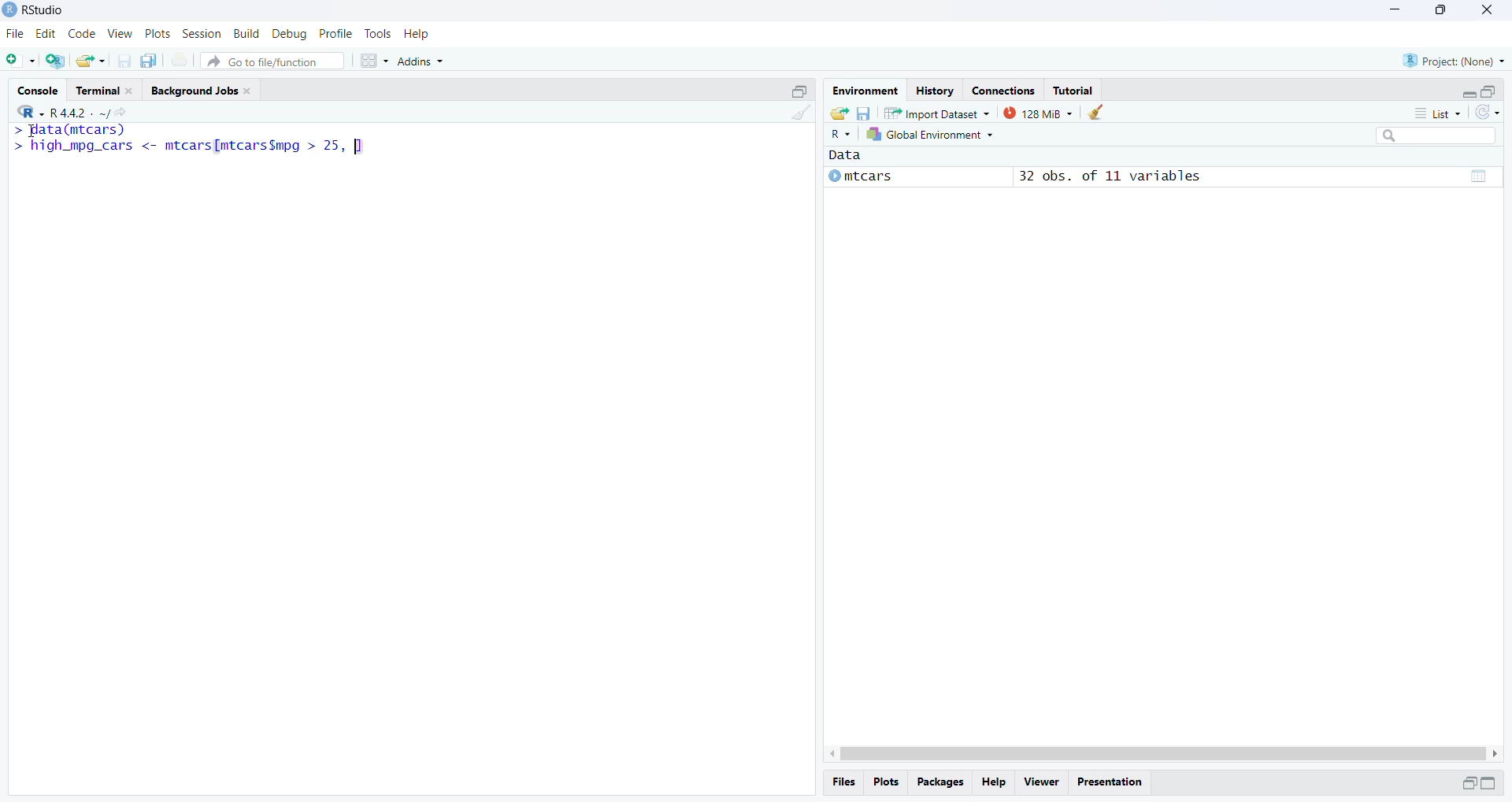 This screenshot has height=802, width=1512. What do you see at coordinates (927, 135) in the screenshot?
I see `global environment` at bounding box center [927, 135].